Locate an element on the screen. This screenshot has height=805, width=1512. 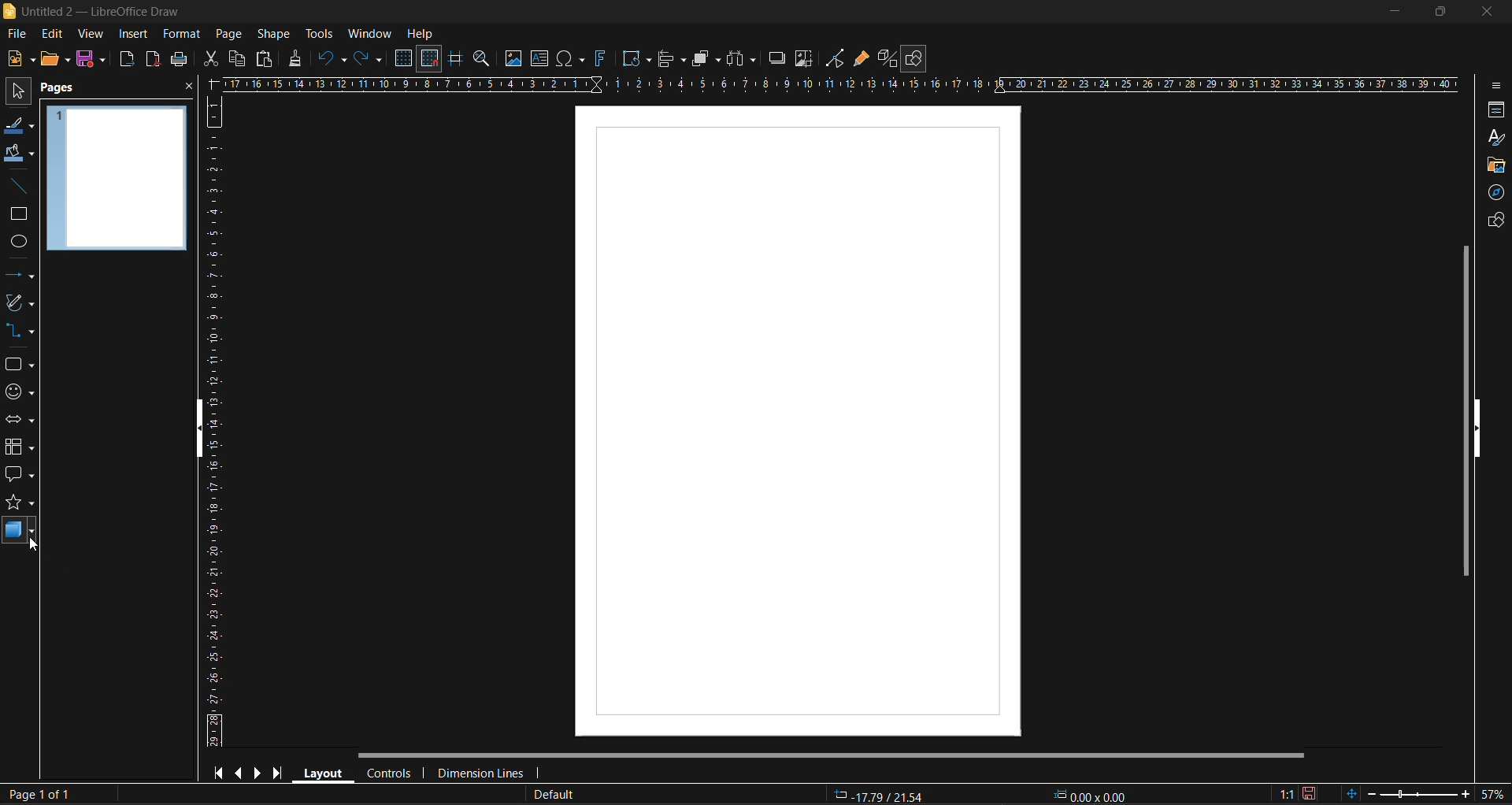
layout is located at coordinates (325, 773).